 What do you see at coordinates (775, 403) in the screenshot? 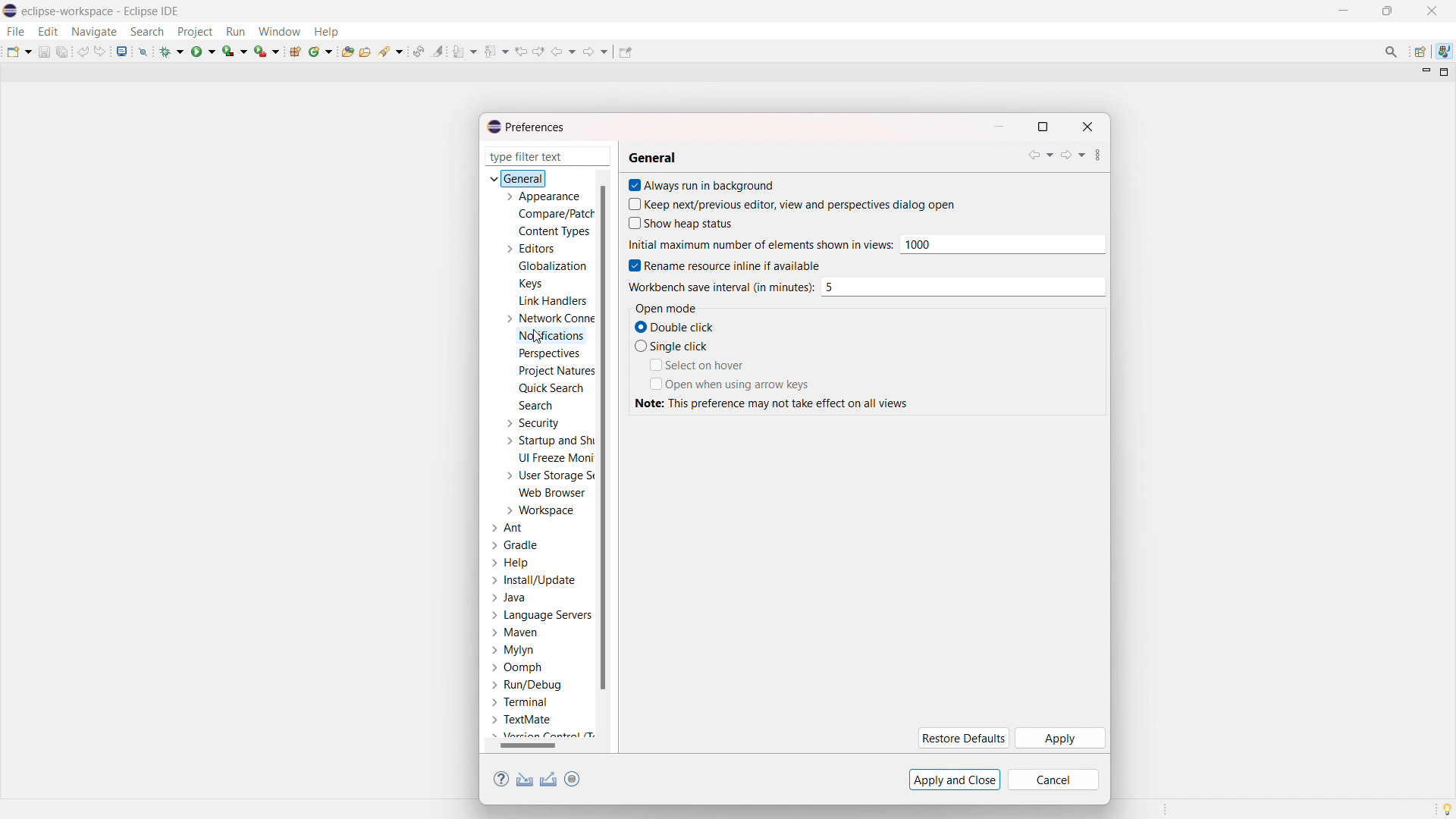
I see `text` at bounding box center [775, 403].